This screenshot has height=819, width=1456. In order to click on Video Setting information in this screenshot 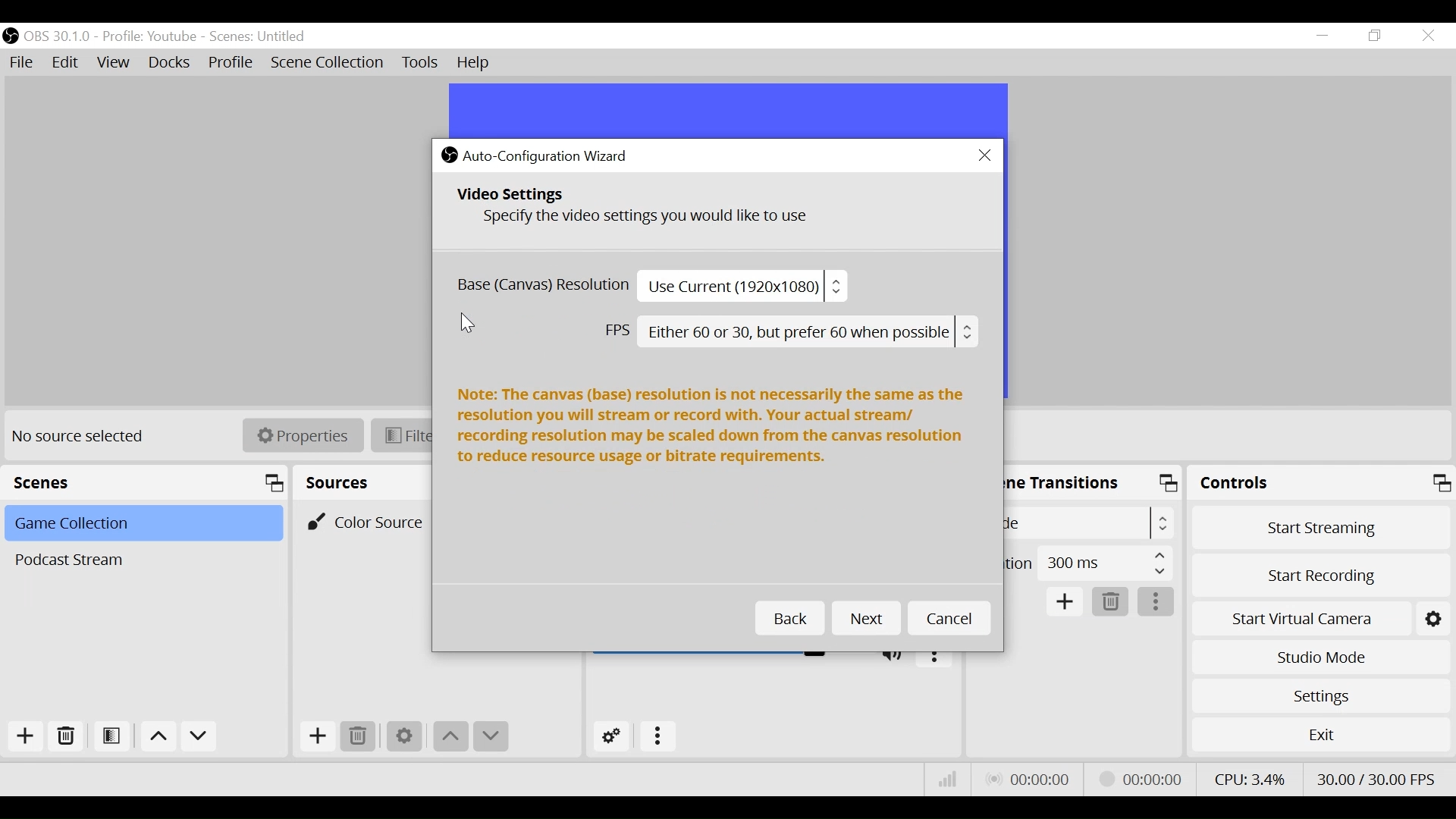, I will do `click(708, 213)`.